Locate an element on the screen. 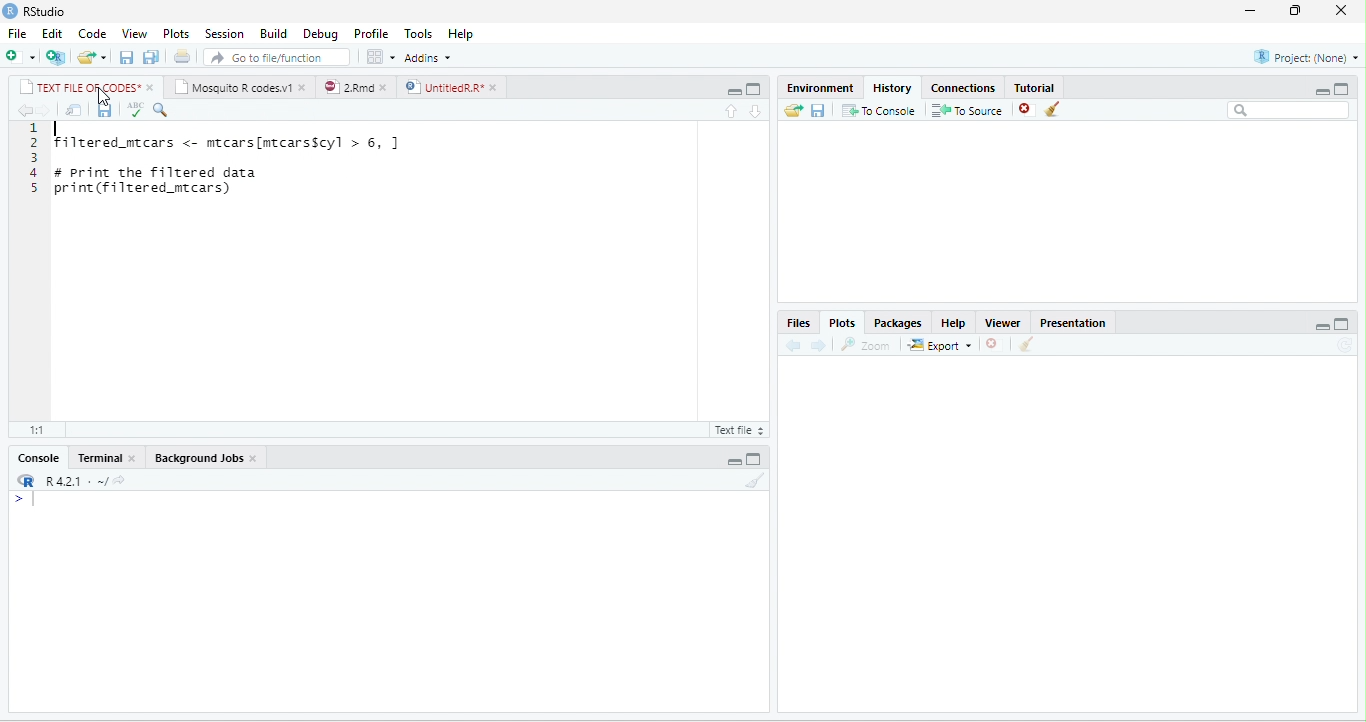 This screenshot has height=722, width=1366. ABC is located at coordinates (136, 108).